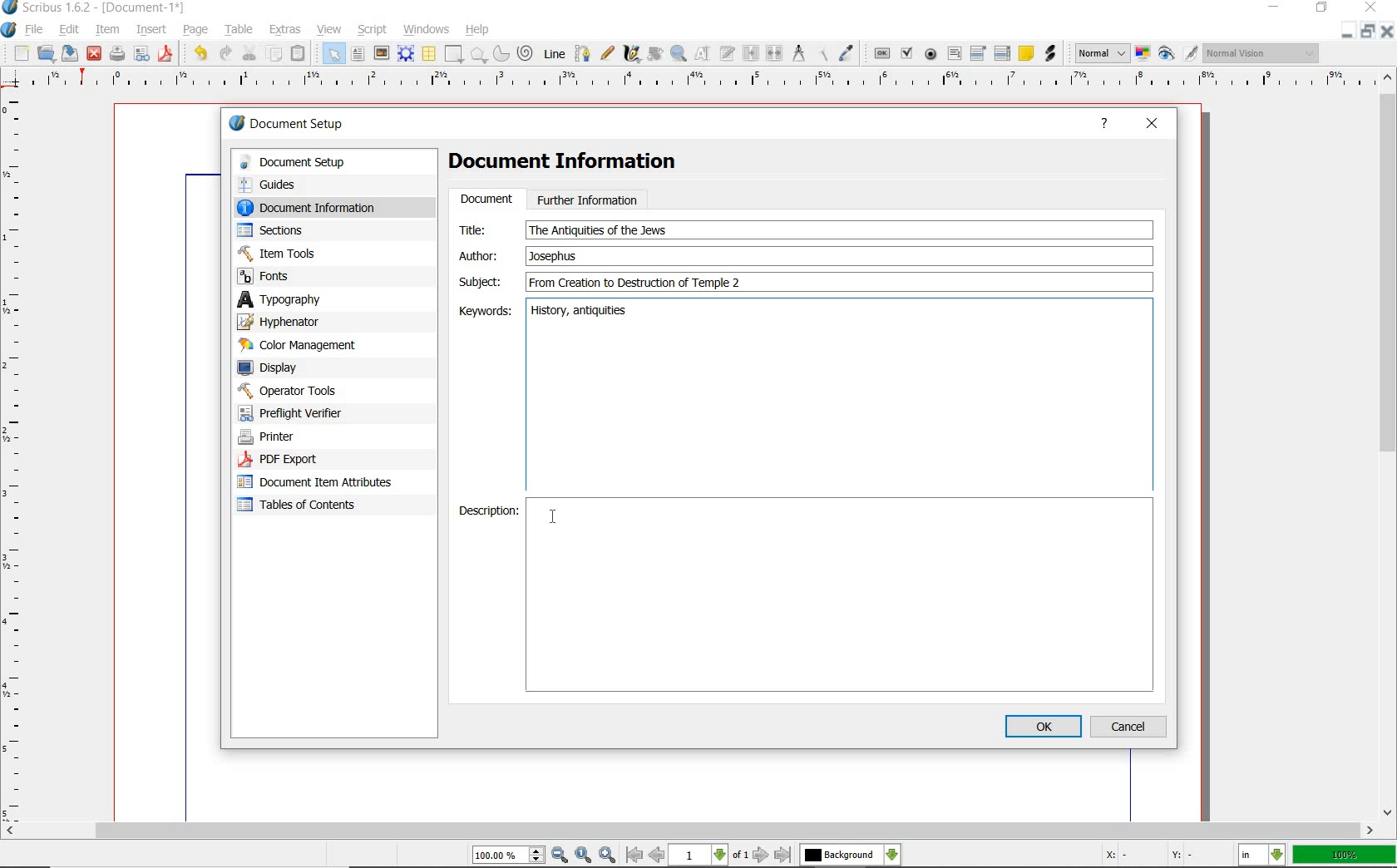 Image resolution: width=1397 pixels, height=868 pixels. I want to click on calligraphic line, so click(632, 55).